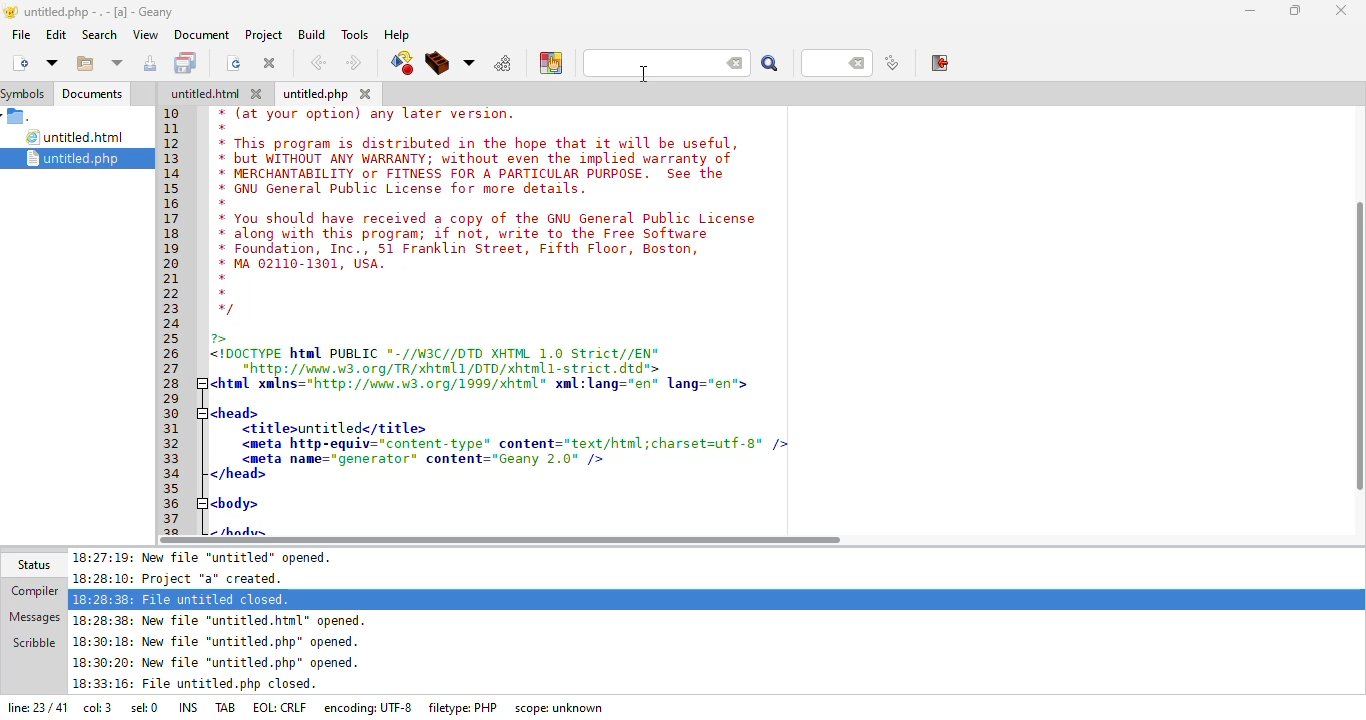 This screenshot has width=1366, height=720. What do you see at coordinates (1342, 8) in the screenshot?
I see `close` at bounding box center [1342, 8].